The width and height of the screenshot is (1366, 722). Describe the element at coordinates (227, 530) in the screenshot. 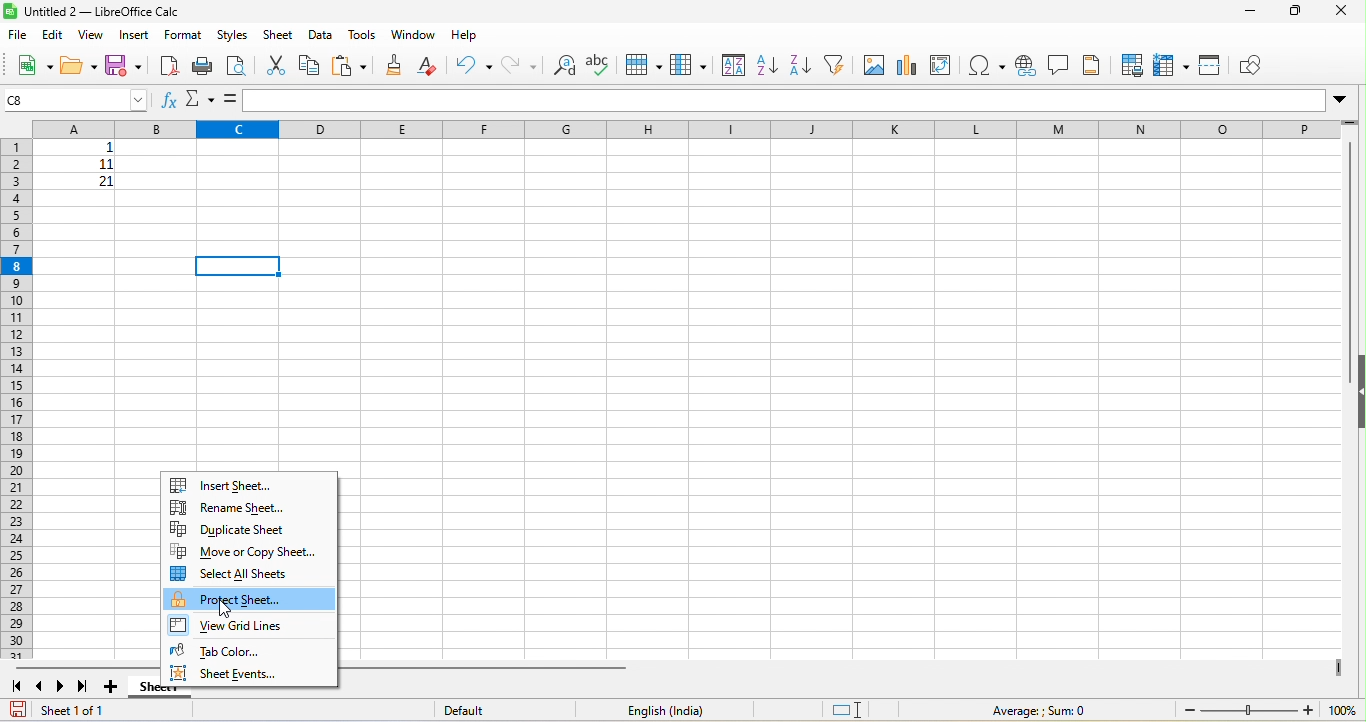

I see `duplicate  sheet` at that location.